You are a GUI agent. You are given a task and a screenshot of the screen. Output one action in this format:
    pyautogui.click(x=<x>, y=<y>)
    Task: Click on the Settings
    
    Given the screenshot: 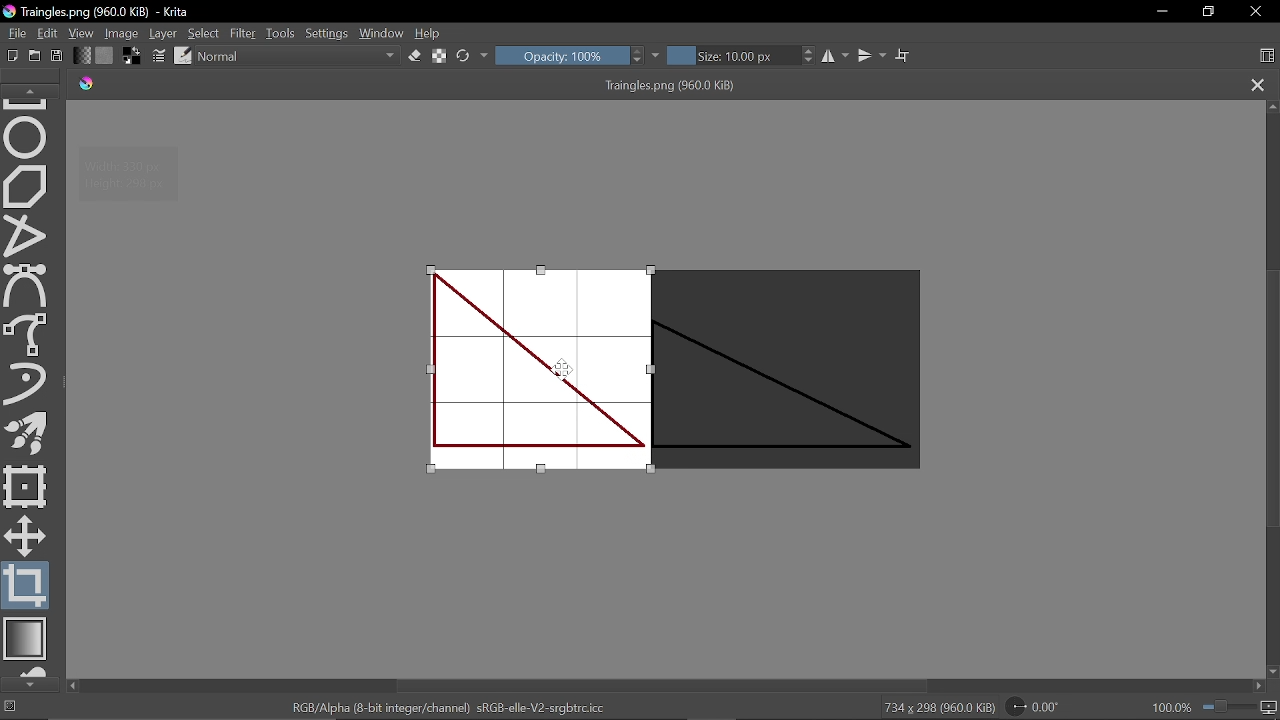 What is the action you would take?
    pyautogui.click(x=327, y=34)
    